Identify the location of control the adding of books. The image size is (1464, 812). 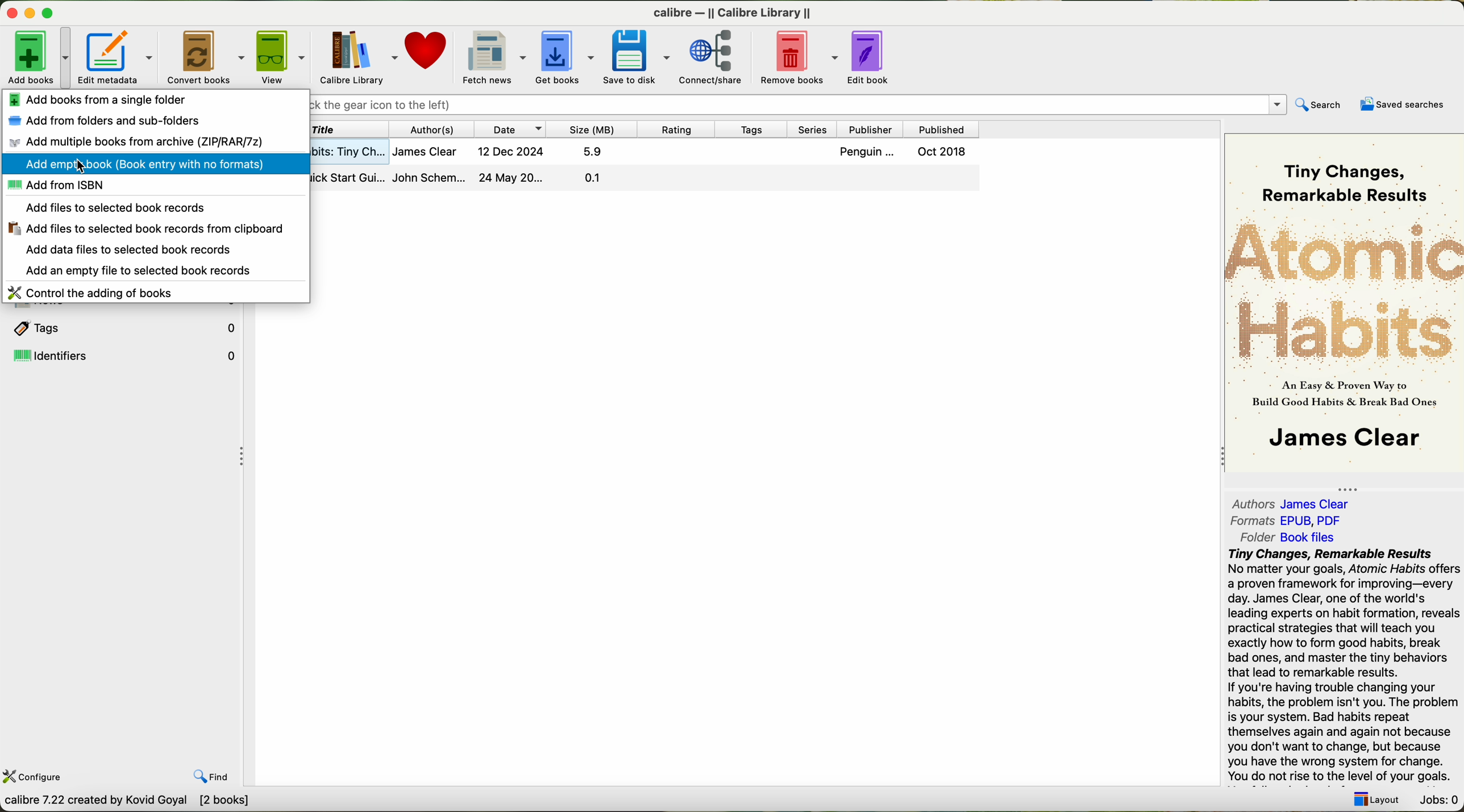
(99, 292).